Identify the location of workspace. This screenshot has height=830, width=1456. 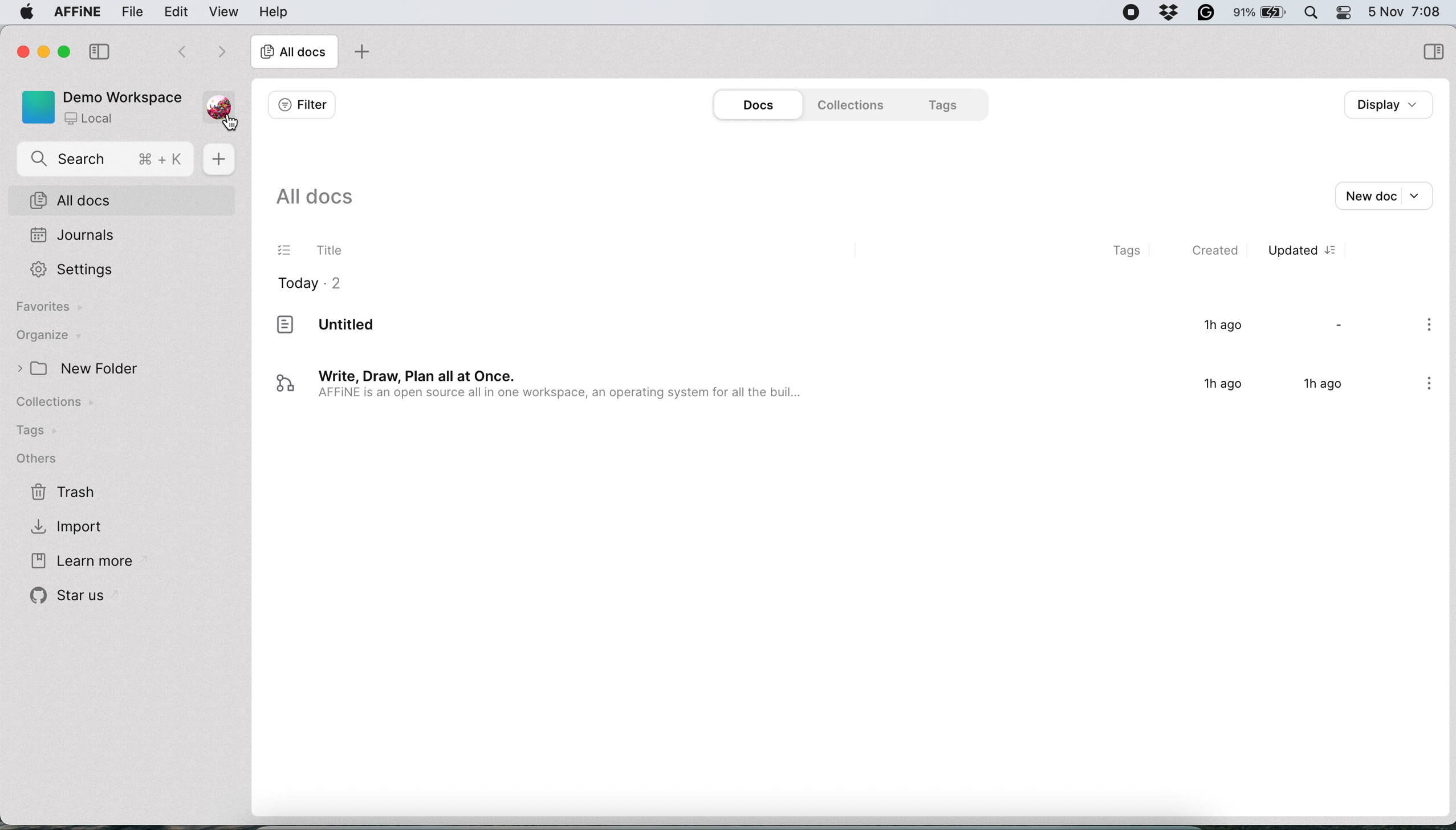
(100, 107).